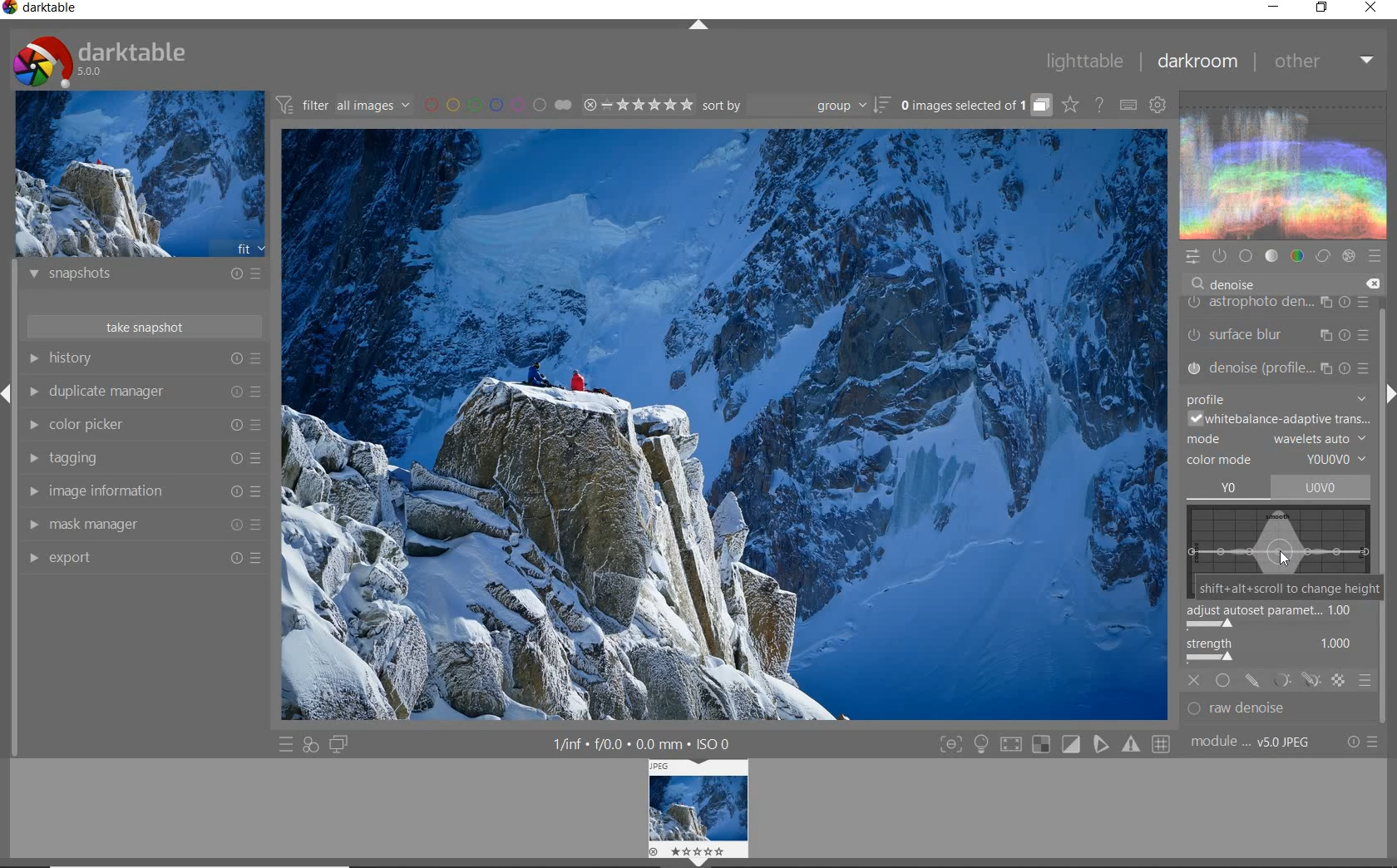  What do you see at coordinates (1365, 742) in the screenshot?
I see `reset or presets and preferences` at bounding box center [1365, 742].